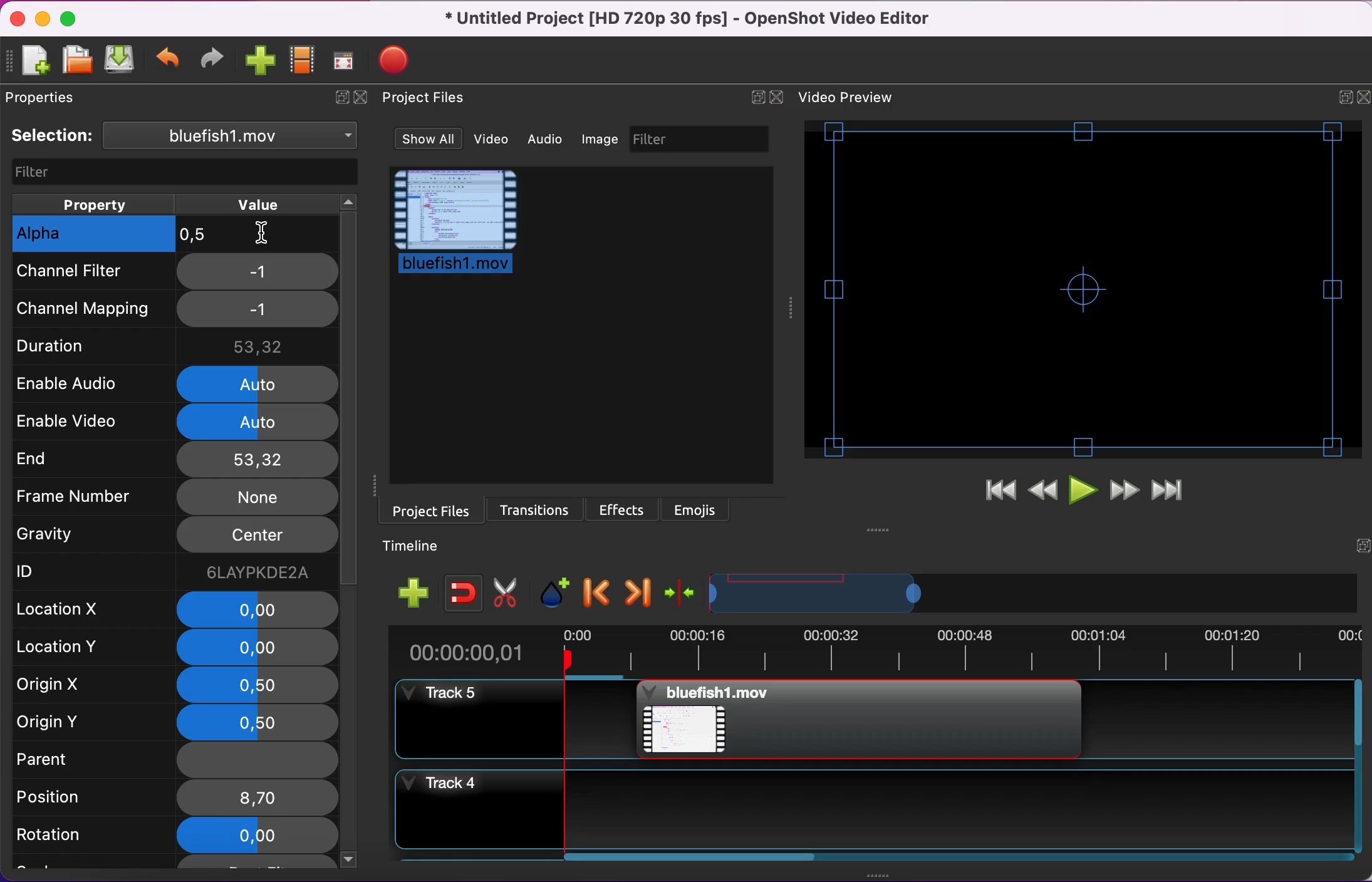 The width and height of the screenshot is (1372, 882). Describe the element at coordinates (255, 536) in the screenshot. I see `center` at that location.